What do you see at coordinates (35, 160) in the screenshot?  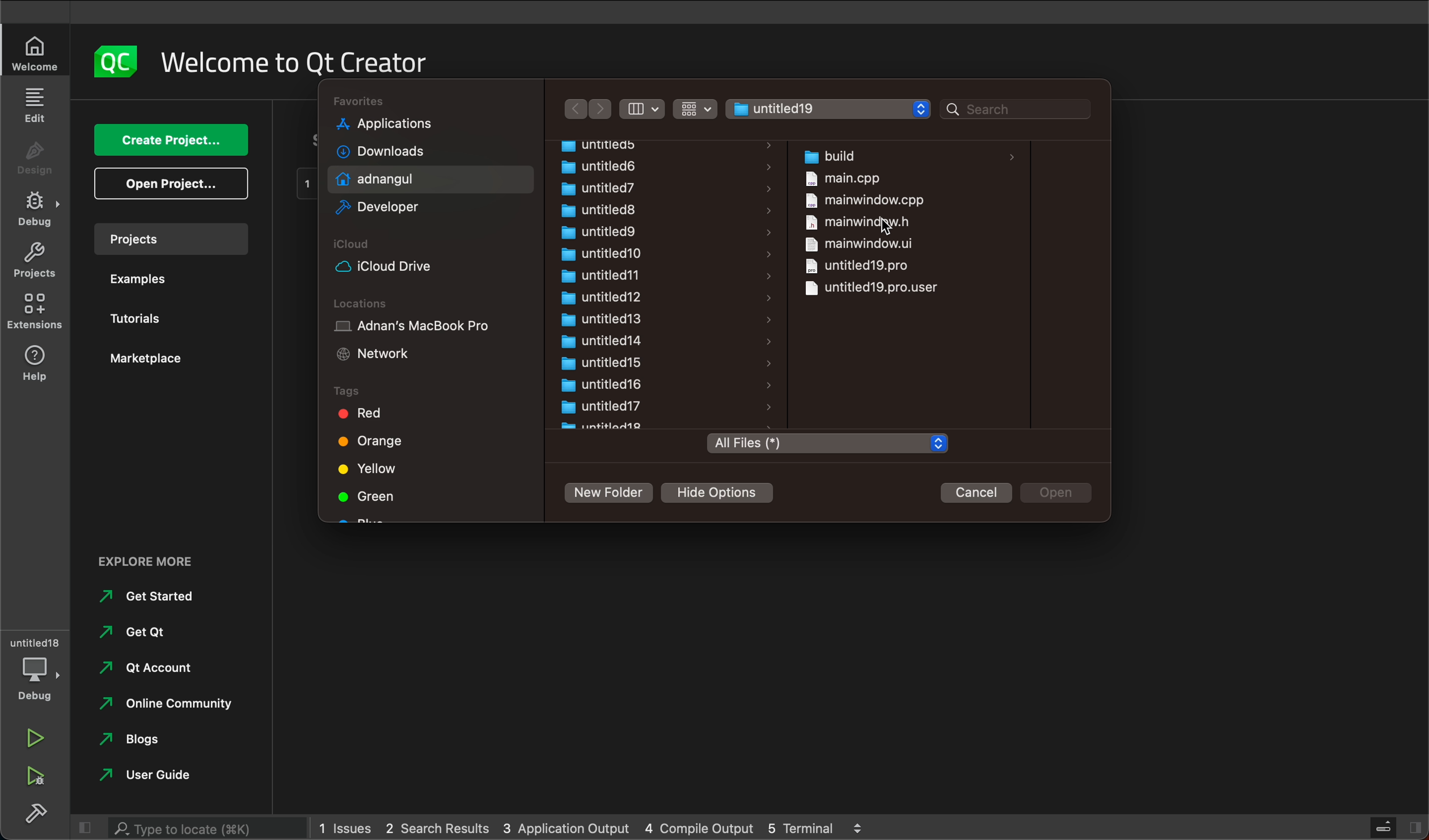 I see `design` at bounding box center [35, 160].